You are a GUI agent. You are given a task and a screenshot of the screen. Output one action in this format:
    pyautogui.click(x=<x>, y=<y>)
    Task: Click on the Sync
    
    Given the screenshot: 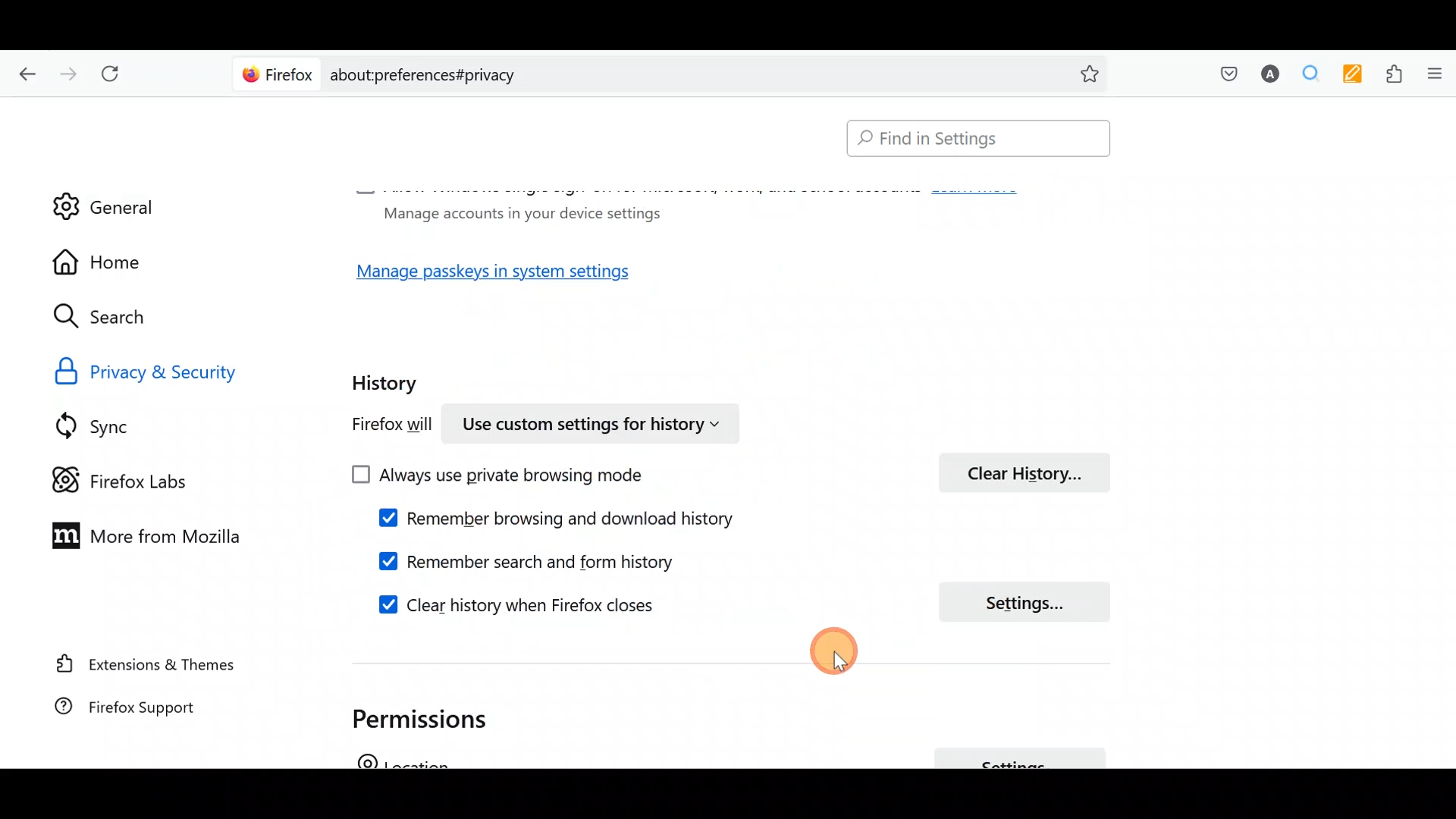 What is the action you would take?
    pyautogui.click(x=113, y=425)
    